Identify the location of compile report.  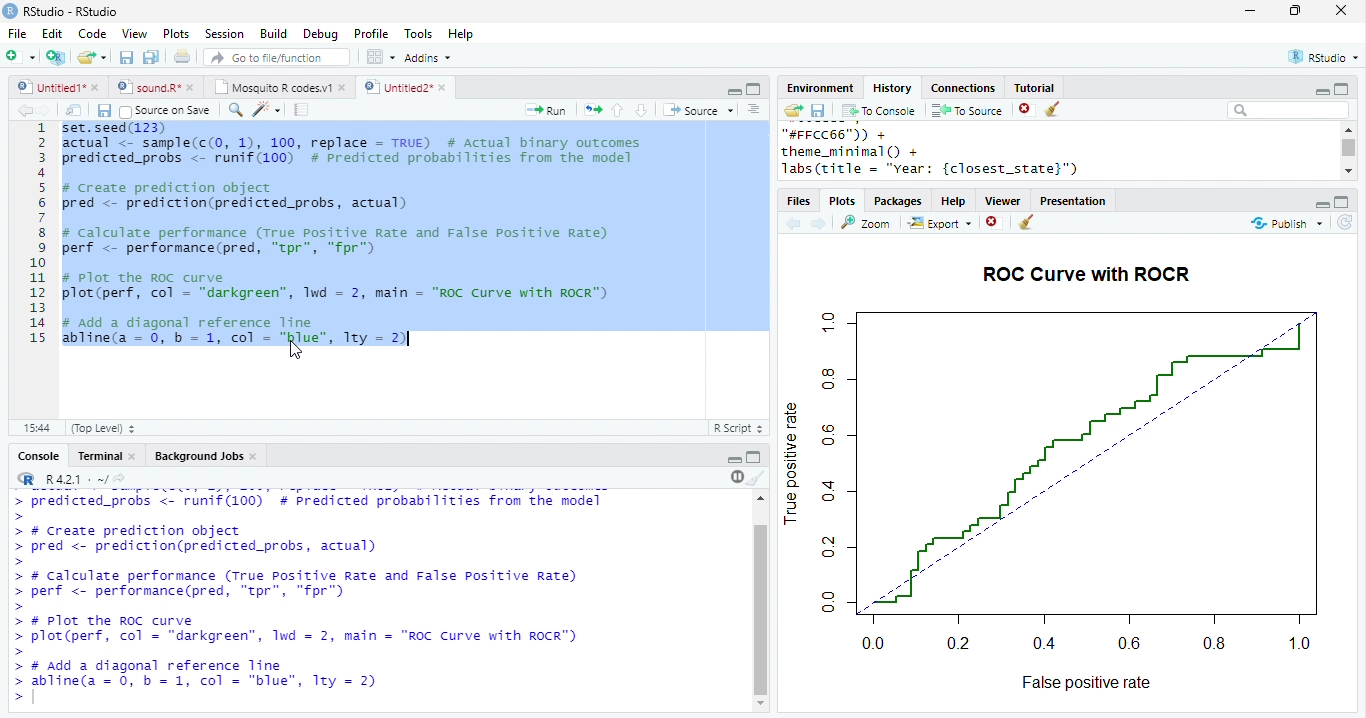
(302, 109).